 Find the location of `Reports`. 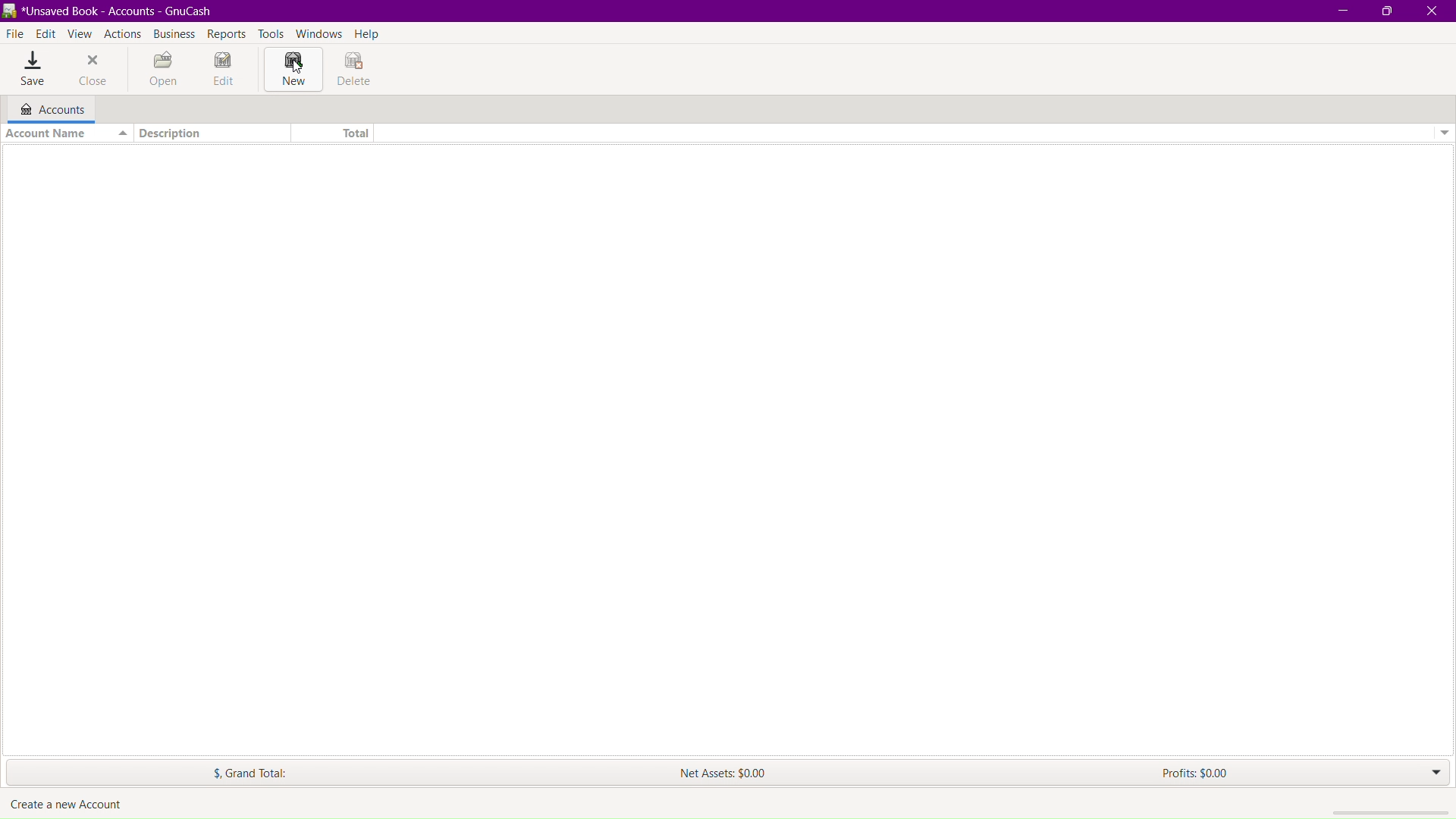

Reports is located at coordinates (224, 32).